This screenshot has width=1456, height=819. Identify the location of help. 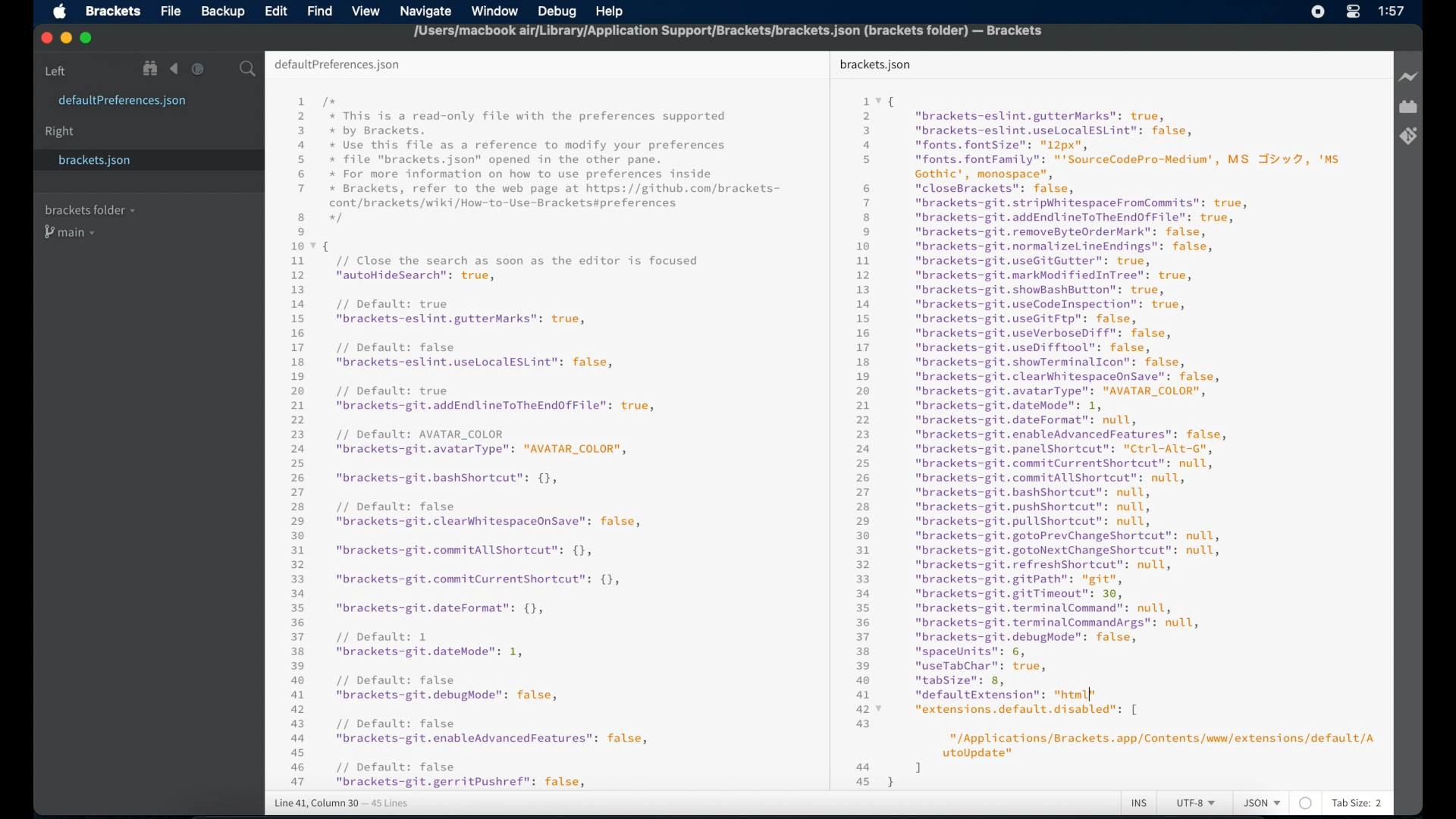
(611, 11).